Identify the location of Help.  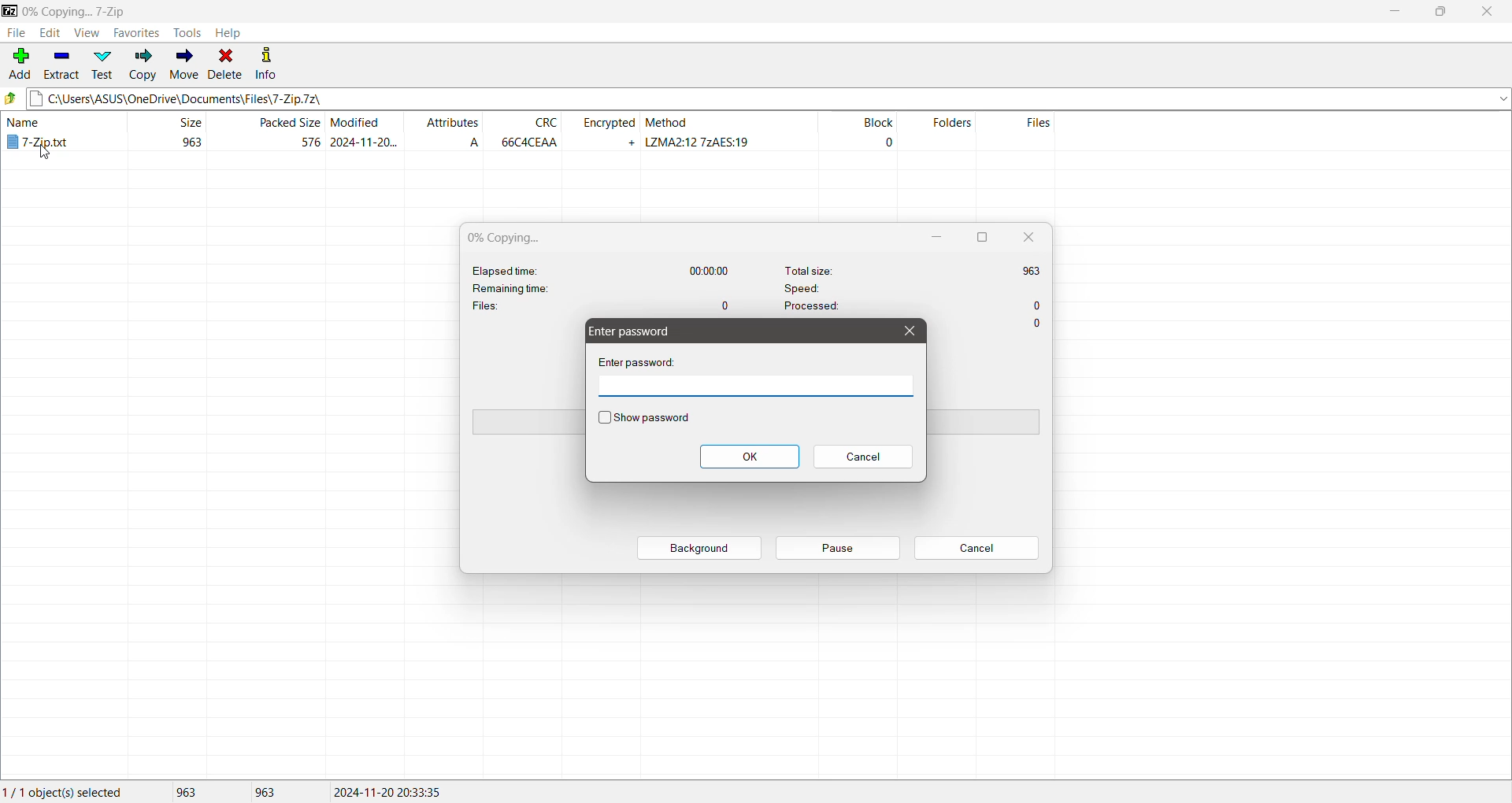
(228, 32).